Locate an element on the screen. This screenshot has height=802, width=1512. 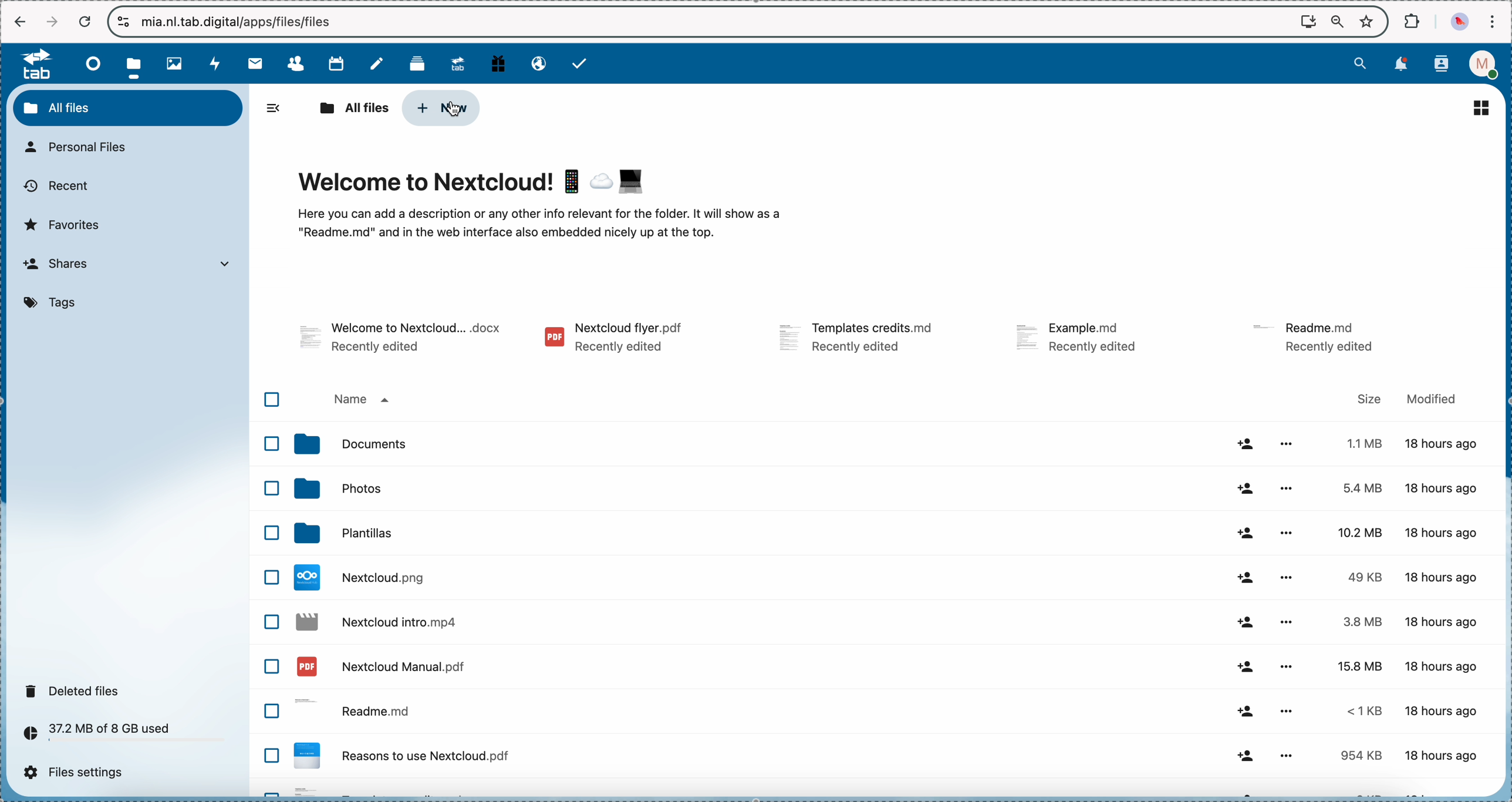
list view is located at coordinates (1482, 107).